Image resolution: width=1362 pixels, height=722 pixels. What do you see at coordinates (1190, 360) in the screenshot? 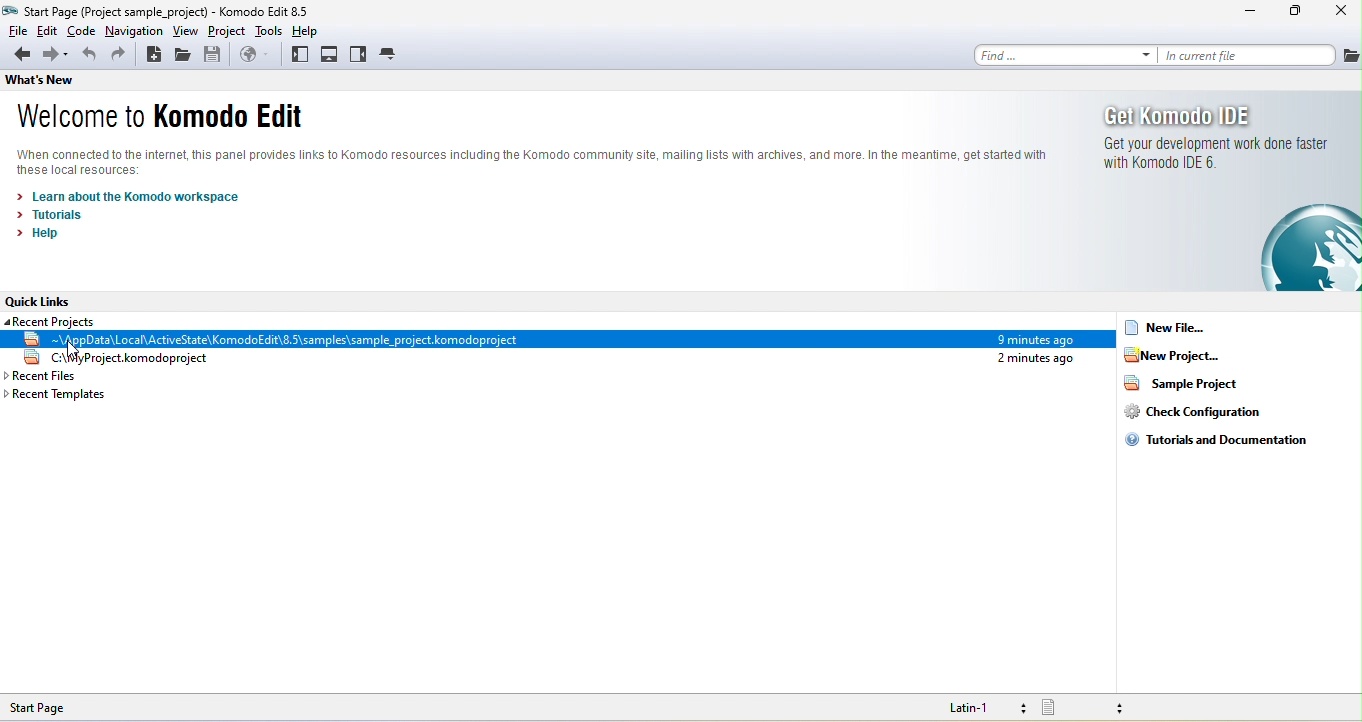
I see `new project` at bounding box center [1190, 360].